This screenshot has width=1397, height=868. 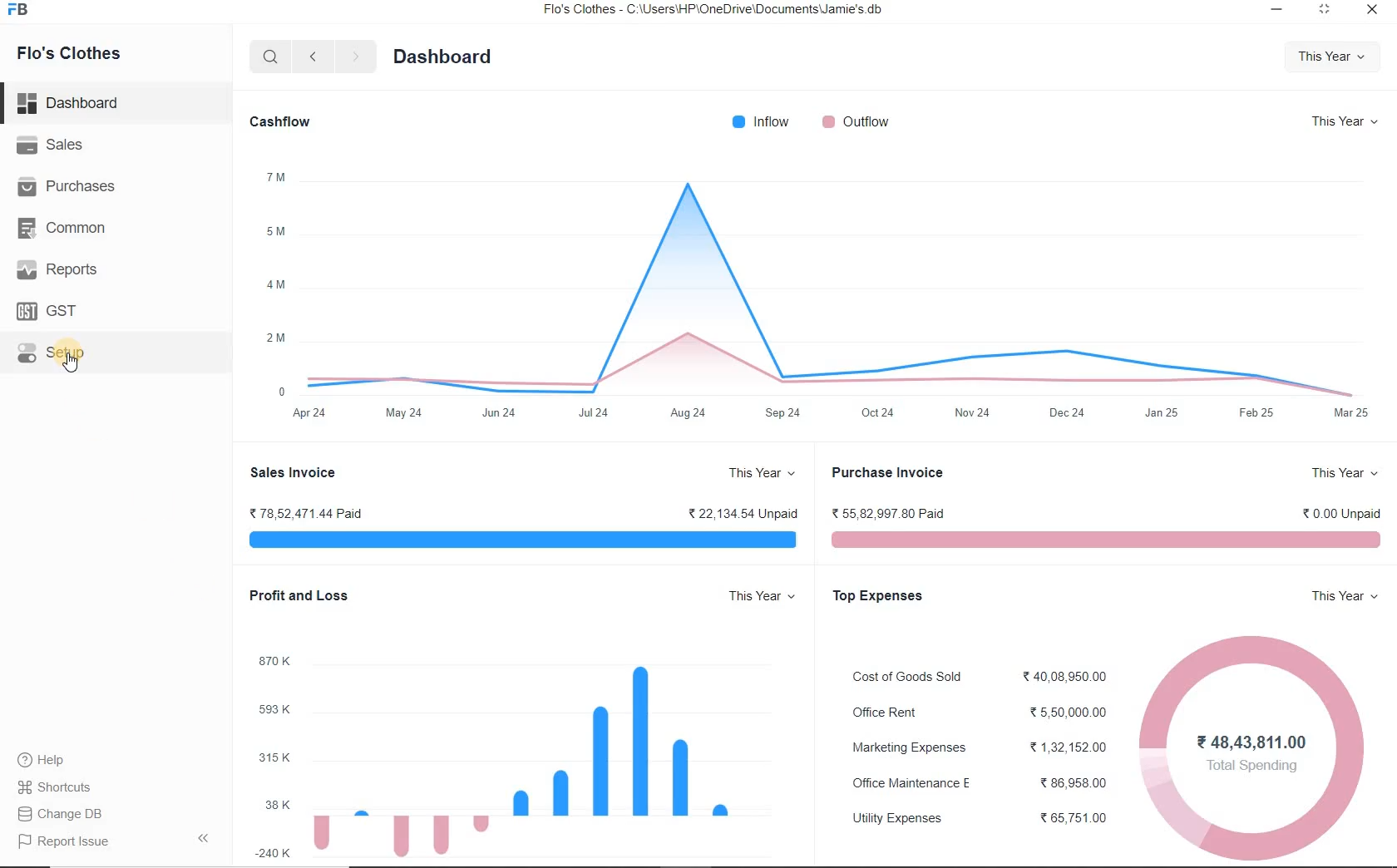 What do you see at coordinates (1339, 512) in the screenshot?
I see `0.00 unpaid` at bounding box center [1339, 512].